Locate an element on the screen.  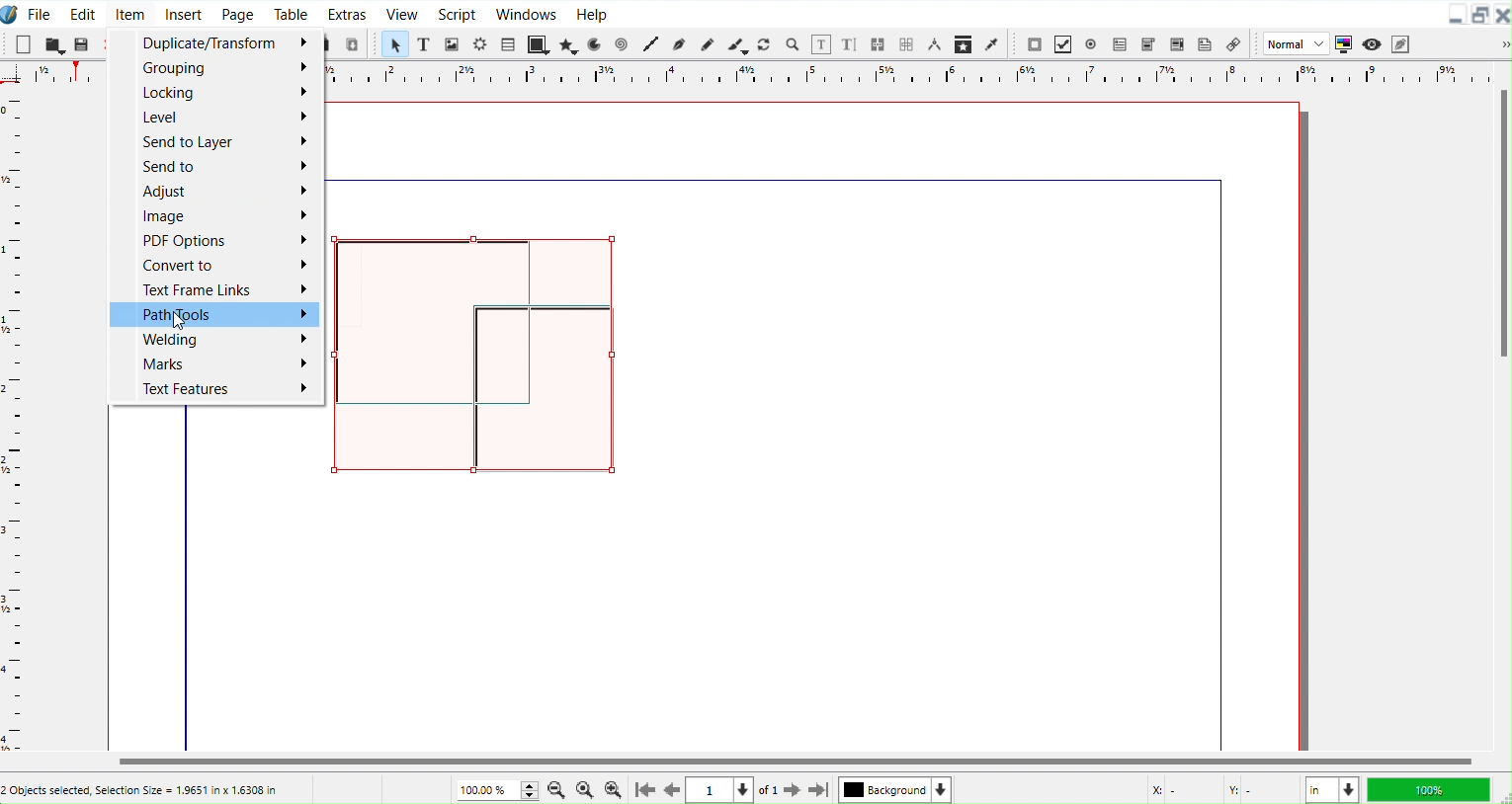
New is located at coordinates (23, 43).